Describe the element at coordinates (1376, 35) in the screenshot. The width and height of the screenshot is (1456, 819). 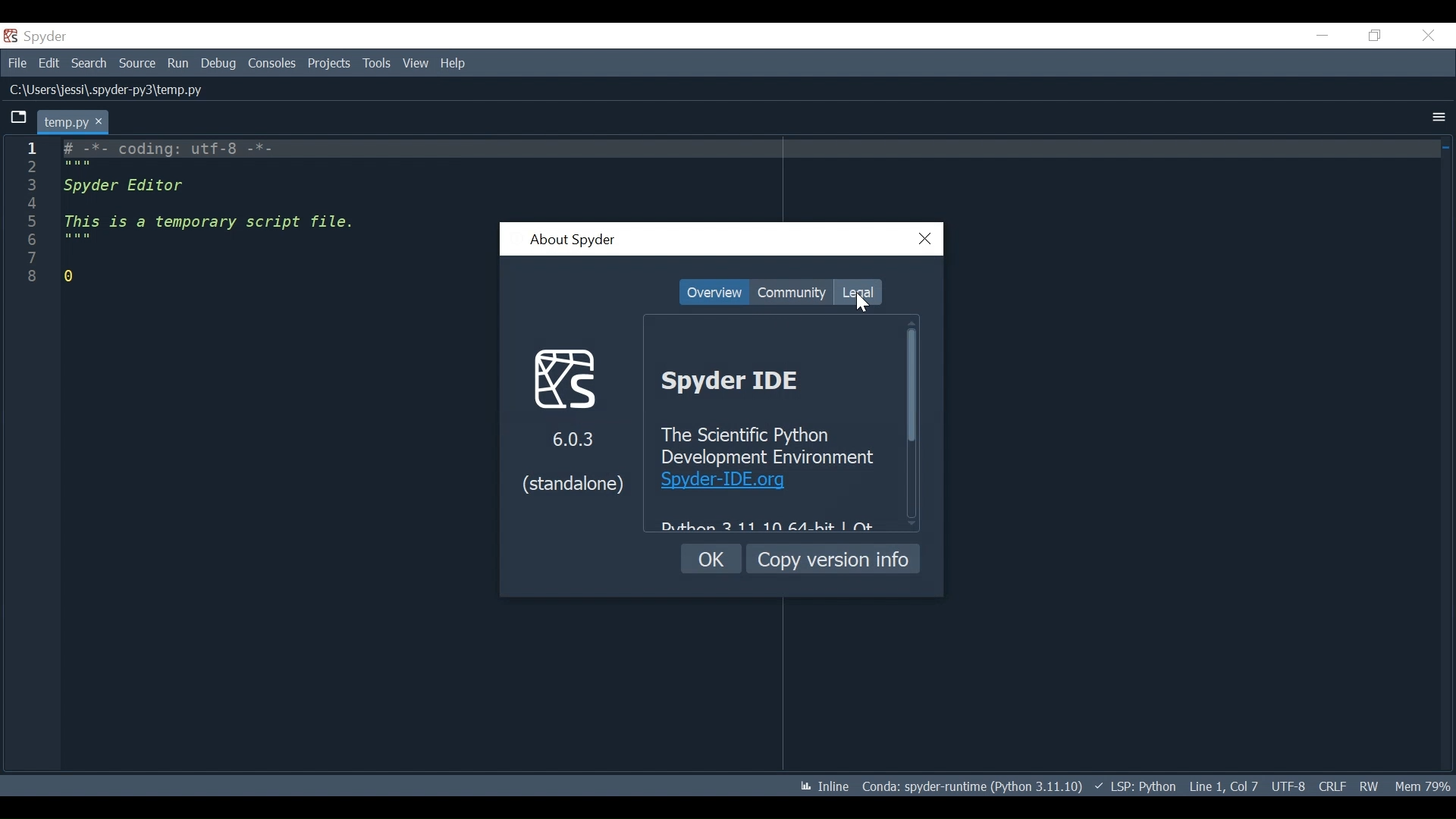
I see `Restore` at that location.